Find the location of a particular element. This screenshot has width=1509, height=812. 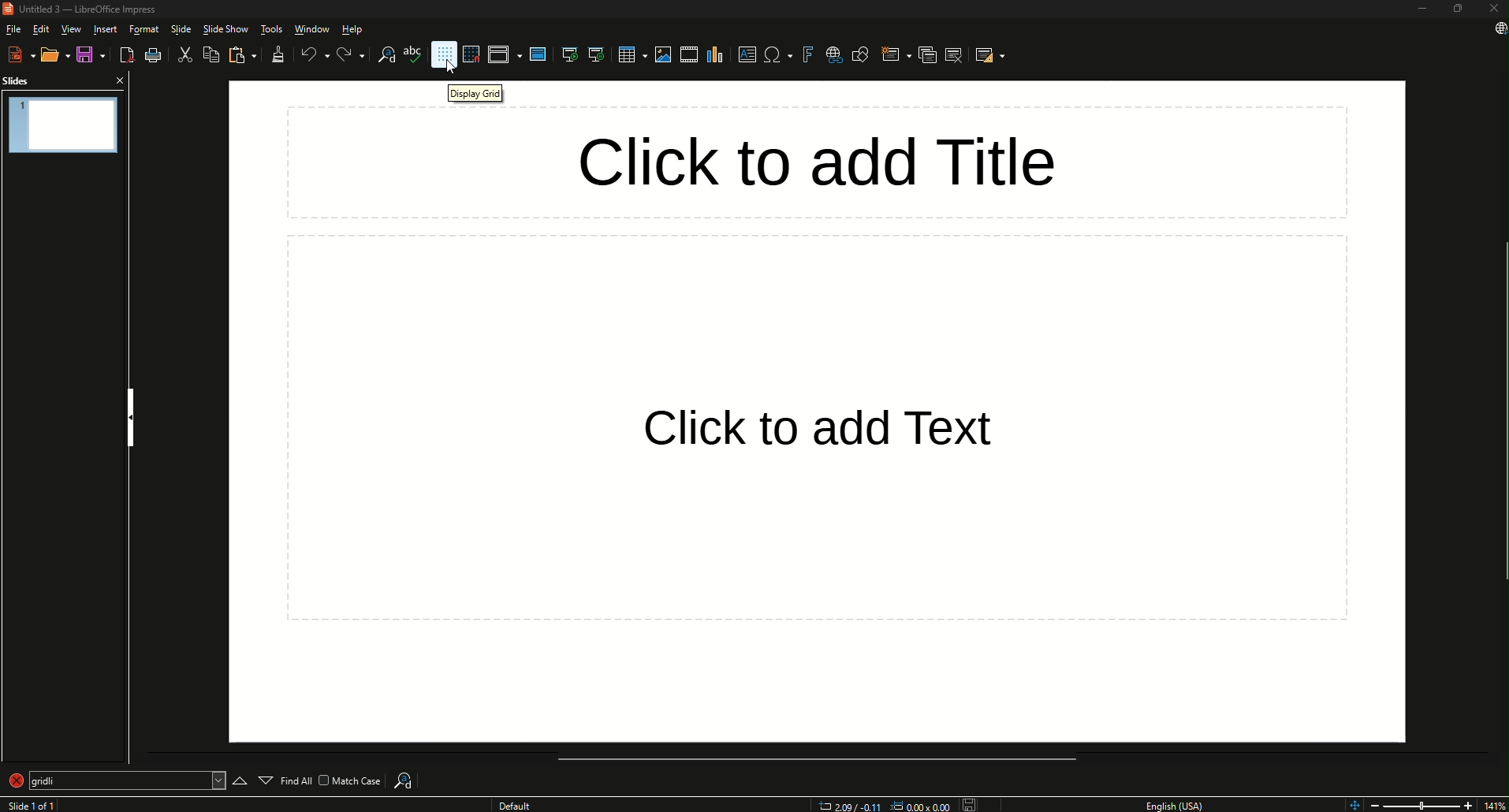

Fit slide to current window is located at coordinates (1353, 804).